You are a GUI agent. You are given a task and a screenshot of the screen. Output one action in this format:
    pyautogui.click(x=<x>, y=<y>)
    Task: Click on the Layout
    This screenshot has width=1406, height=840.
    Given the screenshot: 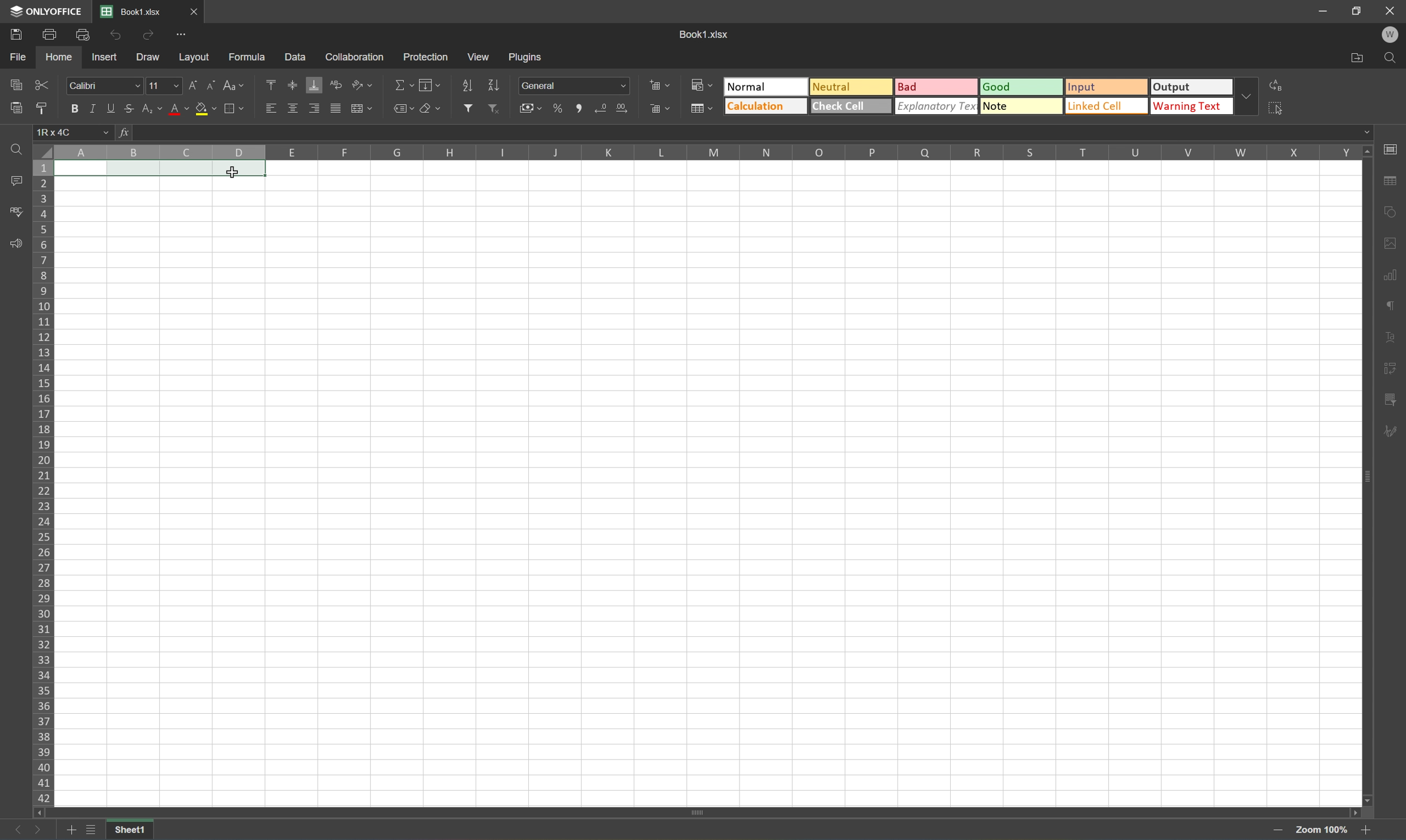 What is the action you would take?
    pyautogui.click(x=194, y=58)
    